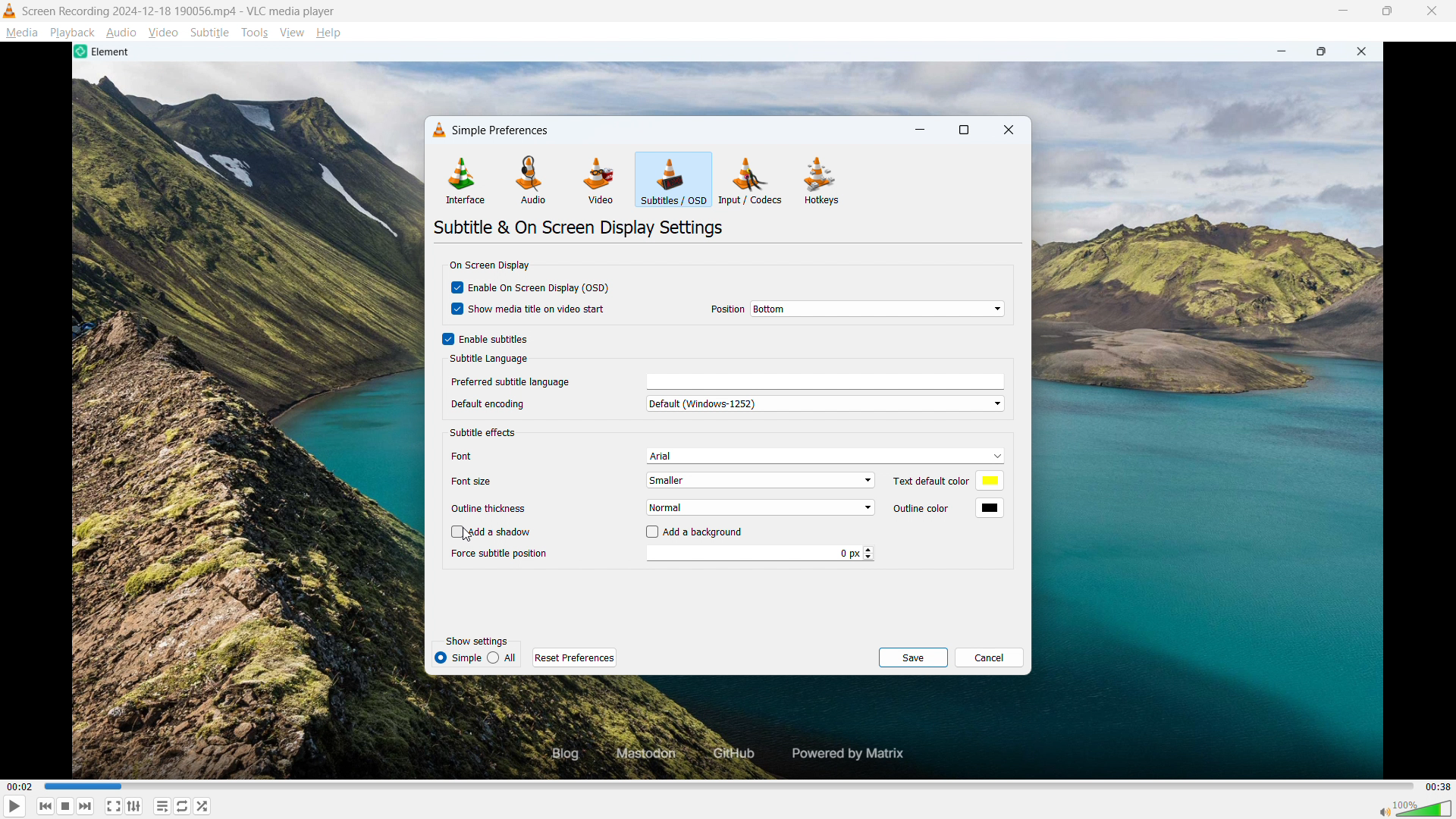 The image size is (1456, 819). Describe the element at coordinates (497, 481) in the screenshot. I see `Font size` at that location.